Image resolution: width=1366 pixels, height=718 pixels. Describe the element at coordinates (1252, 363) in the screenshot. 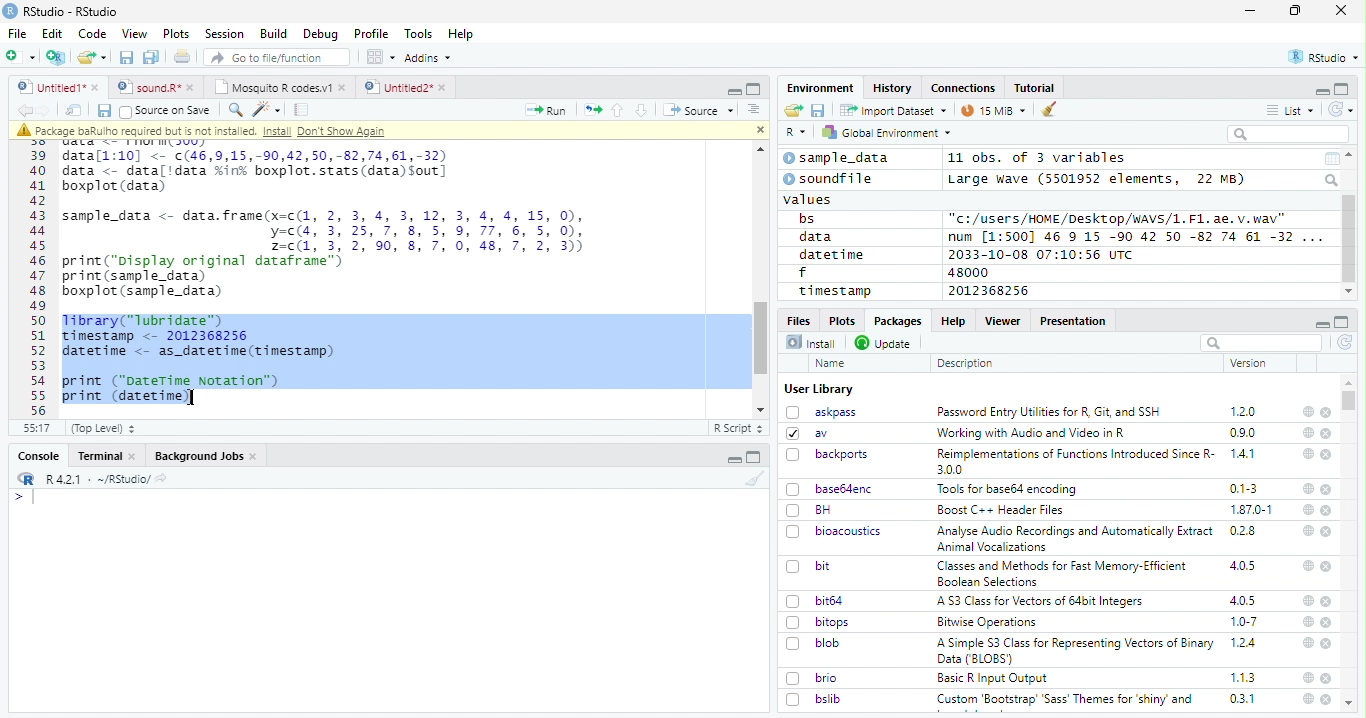

I see `Version` at that location.